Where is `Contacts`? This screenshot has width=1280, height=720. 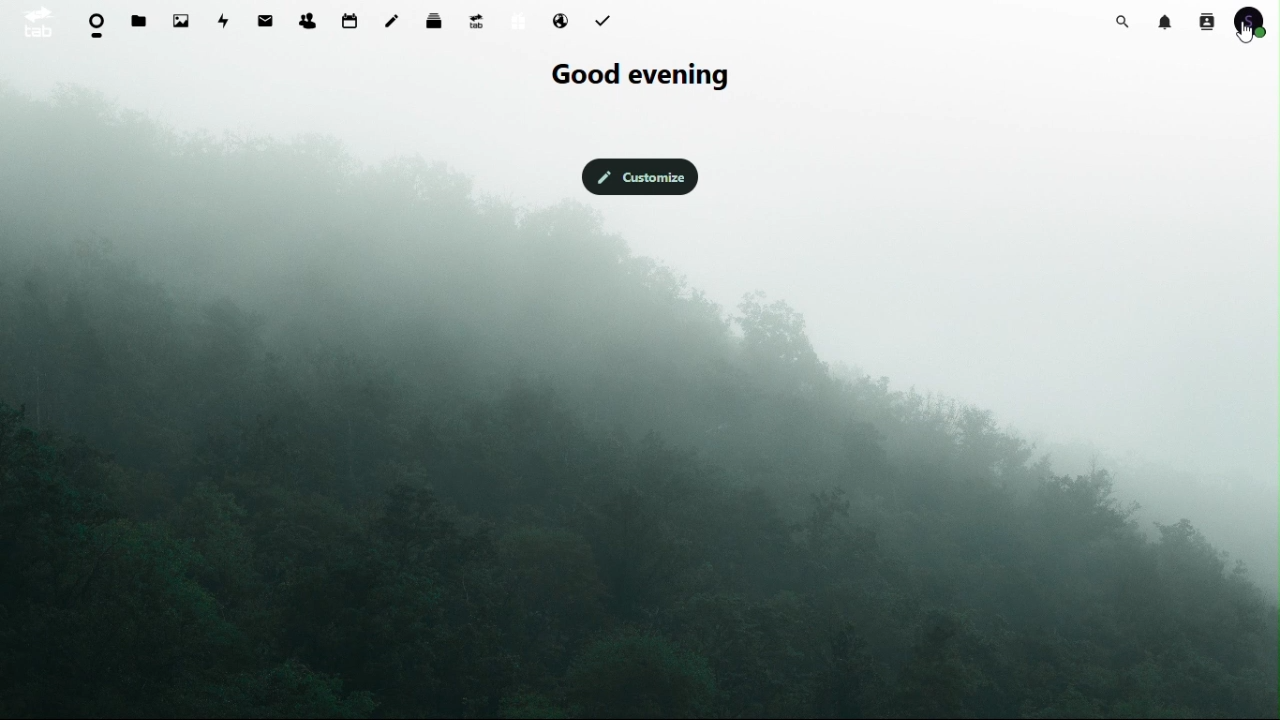
Contacts is located at coordinates (307, 17).